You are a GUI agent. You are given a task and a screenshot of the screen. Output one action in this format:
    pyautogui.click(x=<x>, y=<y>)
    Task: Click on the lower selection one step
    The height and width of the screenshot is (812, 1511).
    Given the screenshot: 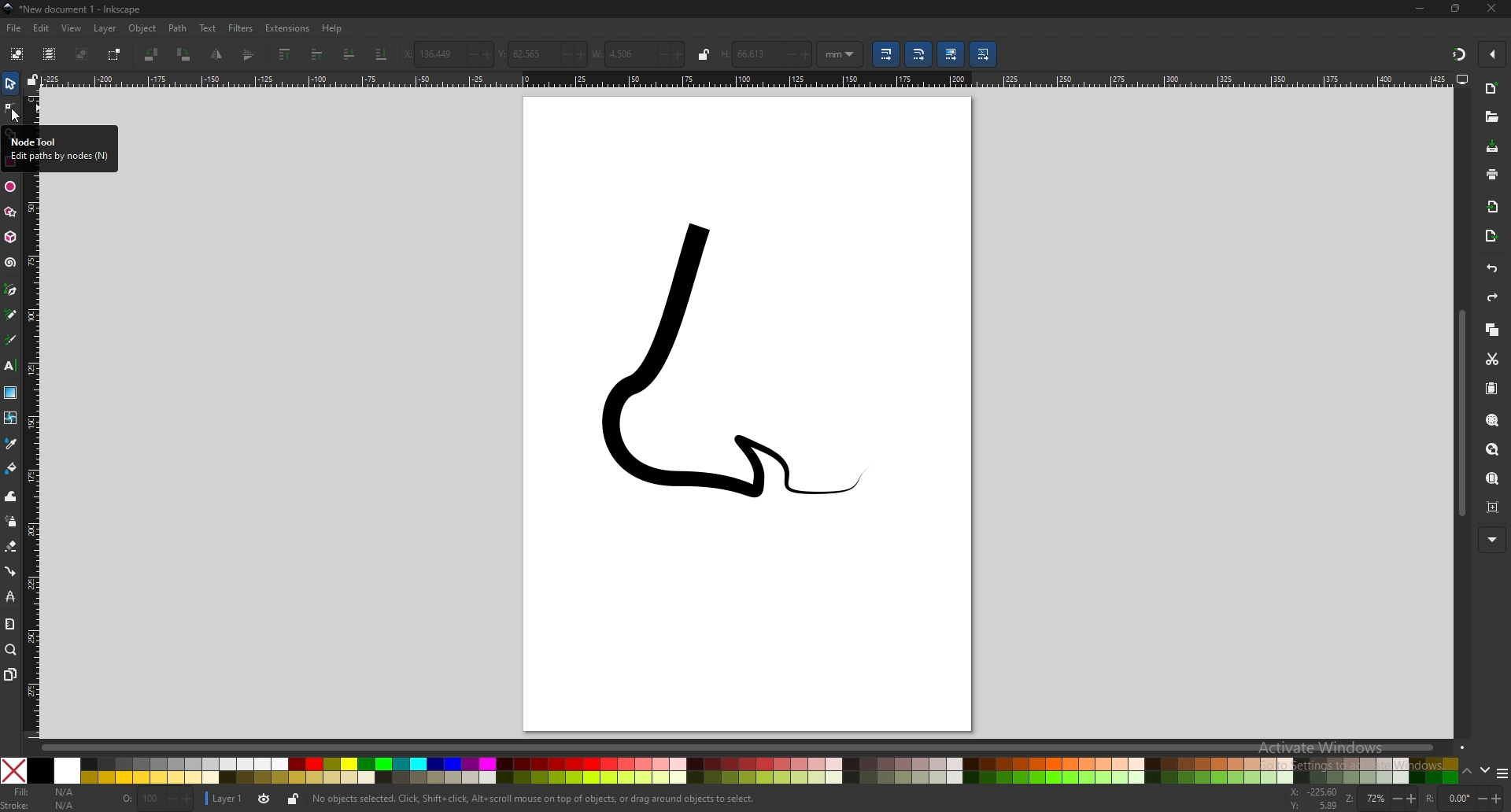 What is the action you would take?
    pyautogui.click(x=349, y=54)
    